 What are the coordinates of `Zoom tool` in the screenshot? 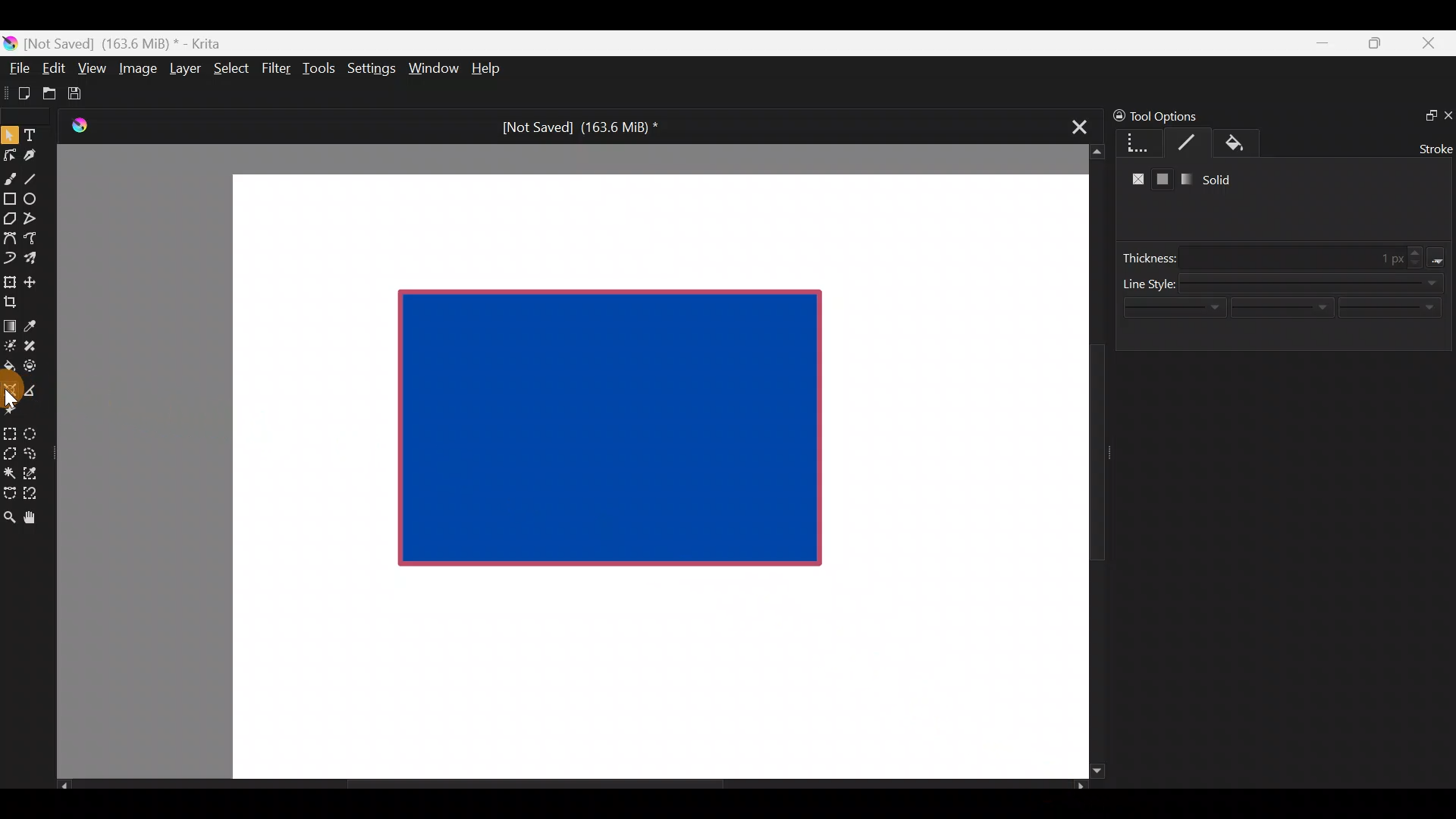 It's located at (9, 516).